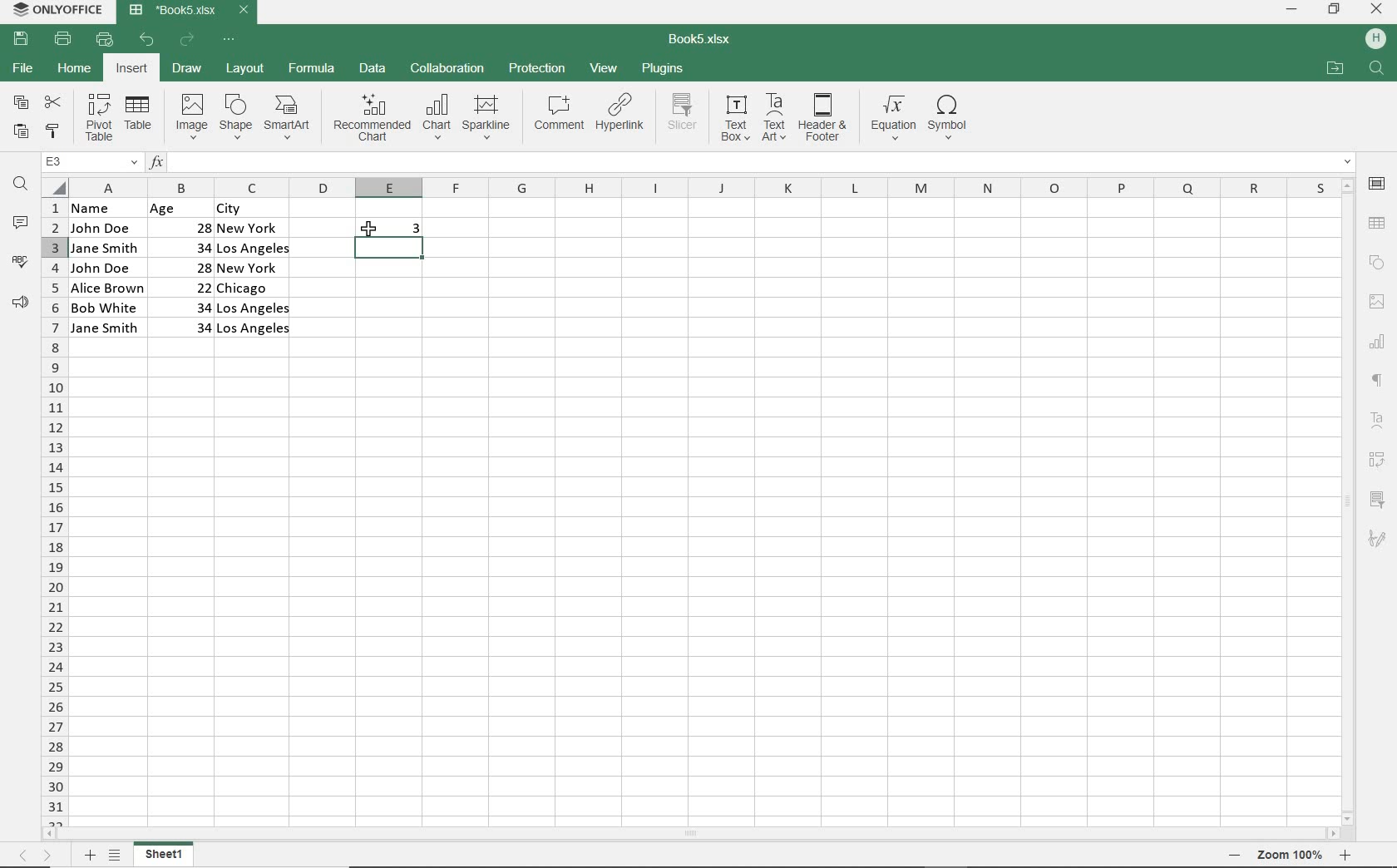 The image size is (1397, 868). Describe the element at coordinates (892, 117) in the screenshot. I see `EQUATION` at that location.